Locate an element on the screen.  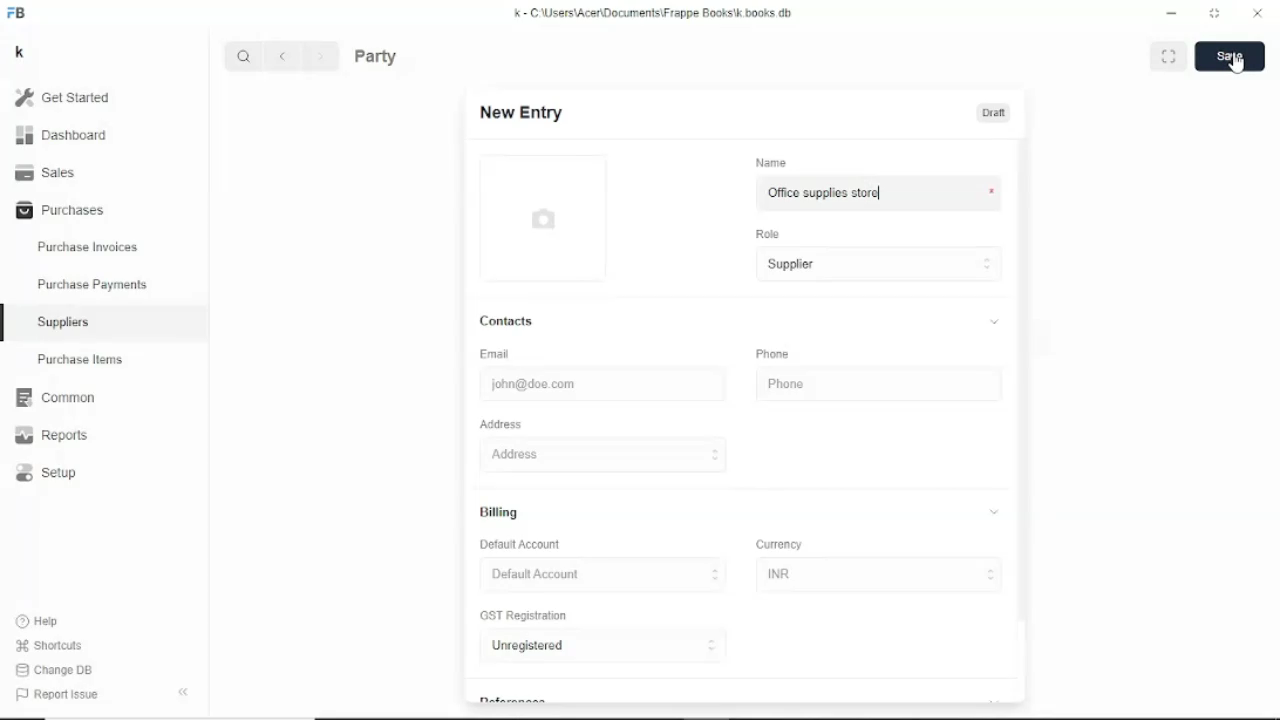
Purchase payments is located at coordinates (92, 284).